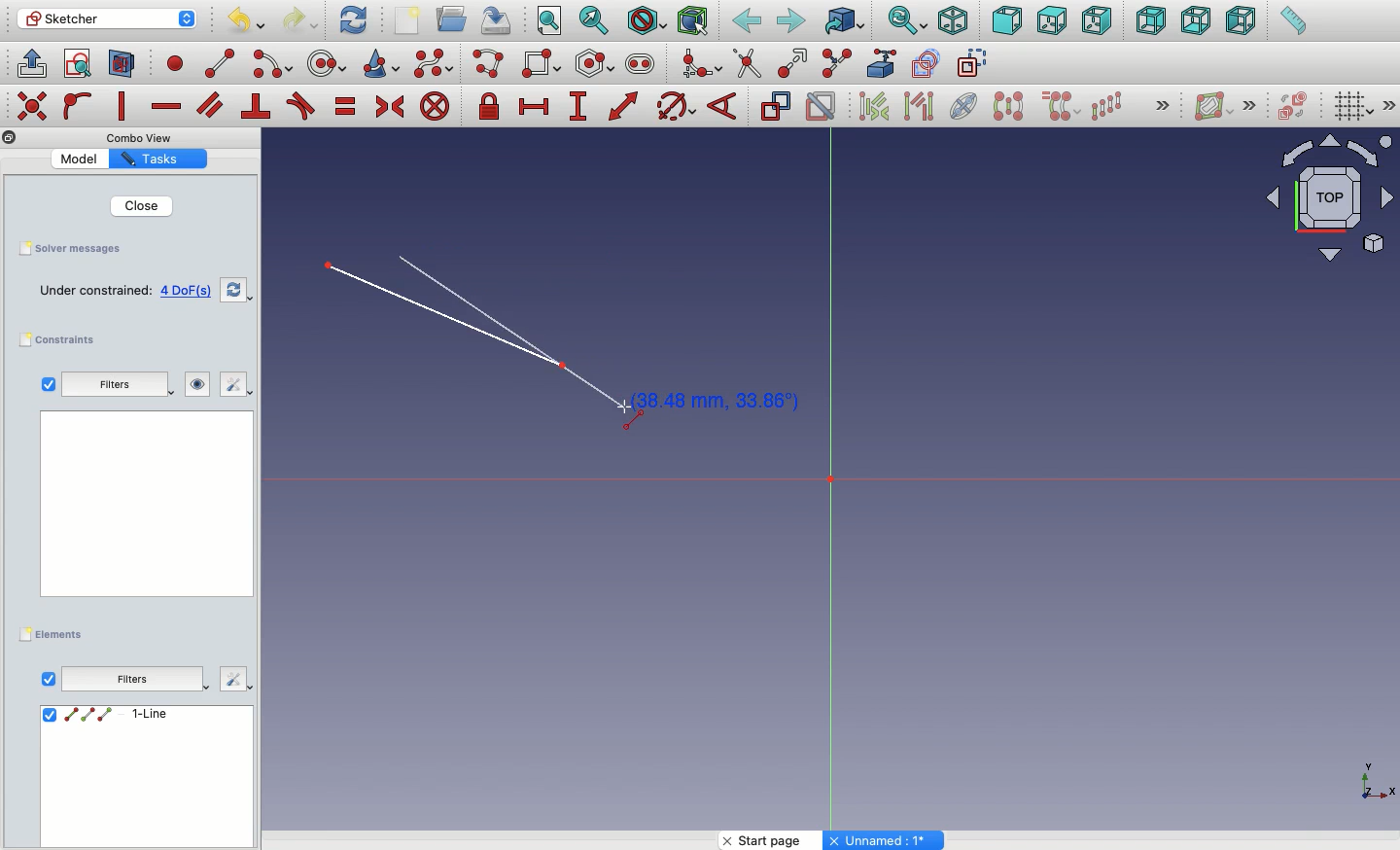 This screenshot has height=850, width=1400. I want to click on , so click(886, 840).